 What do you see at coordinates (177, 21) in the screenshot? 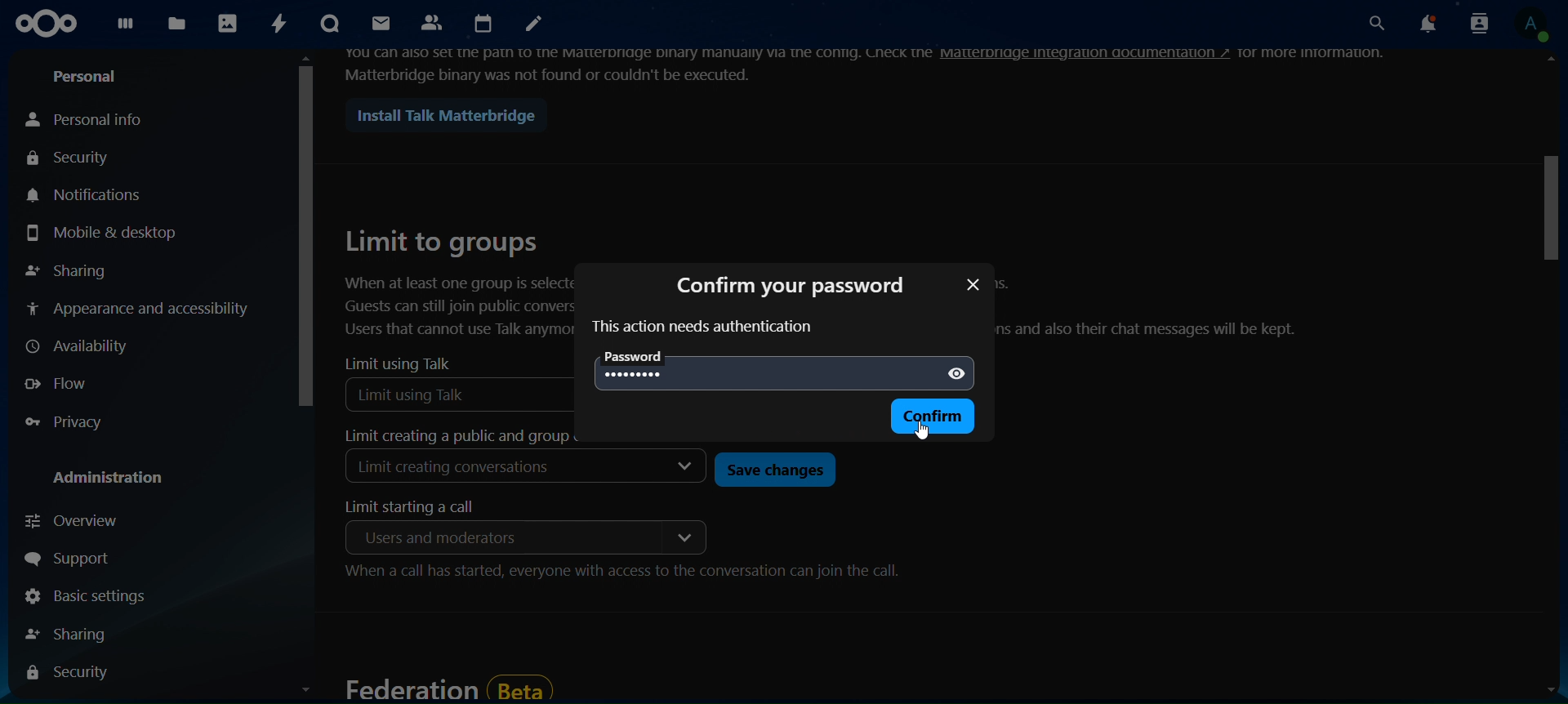
I see `files` at bounding box center [177, 21].